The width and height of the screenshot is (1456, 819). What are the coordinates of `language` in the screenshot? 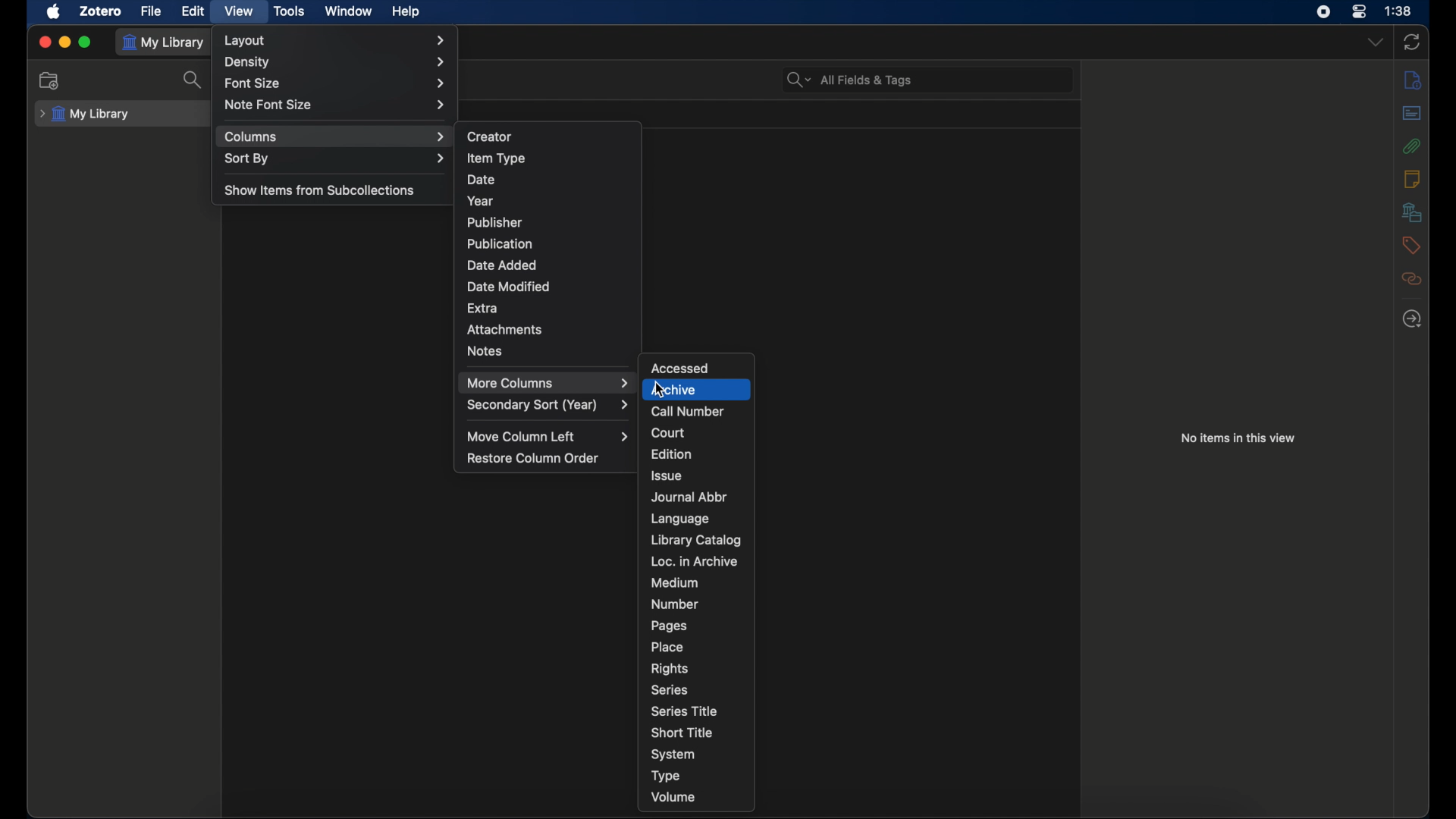 It's located at (681, 519).